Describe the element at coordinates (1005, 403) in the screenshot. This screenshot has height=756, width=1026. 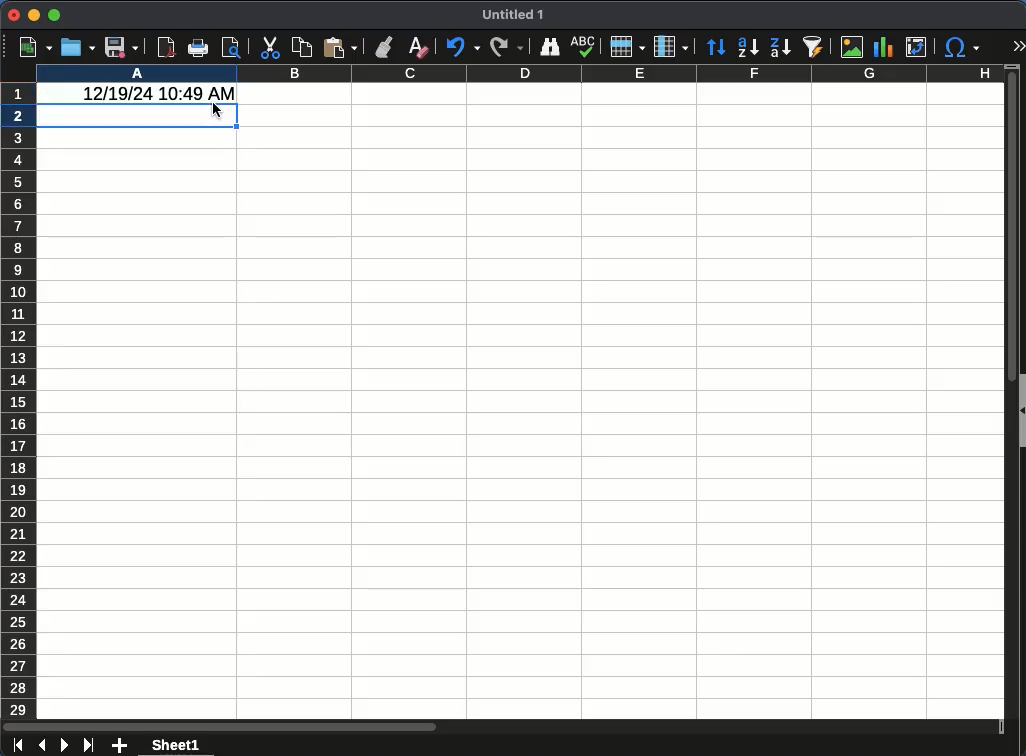
I see `scroll` at that location.